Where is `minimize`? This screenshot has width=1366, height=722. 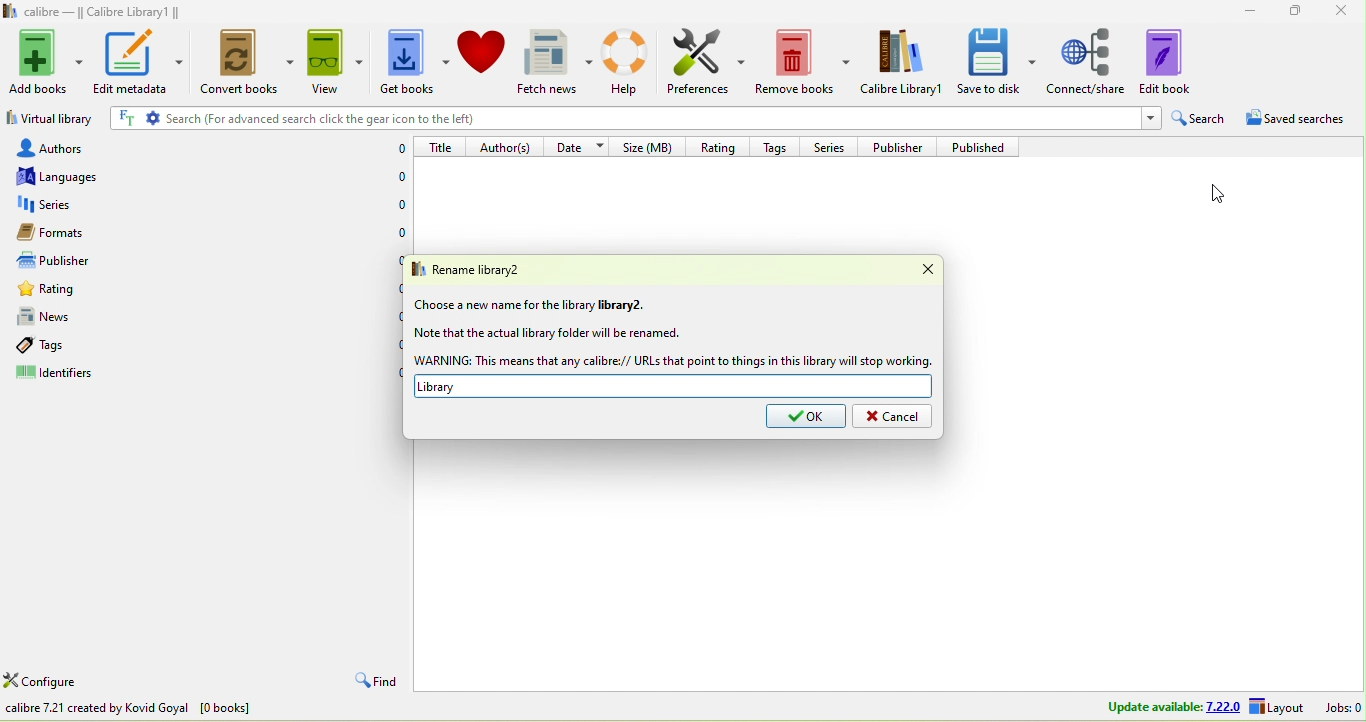 minimize is located at coordinates (1243, 9).